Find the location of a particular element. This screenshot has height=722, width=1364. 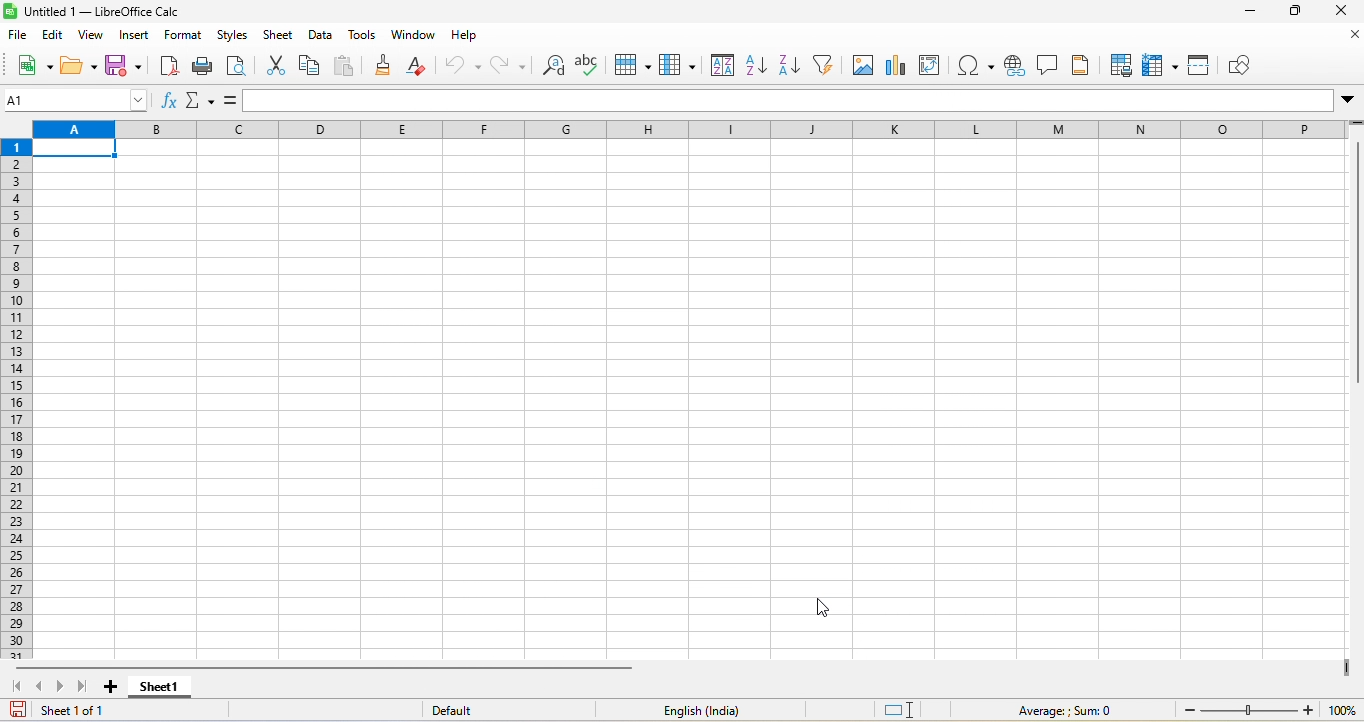

spelling is located at coordinates (590, 64).